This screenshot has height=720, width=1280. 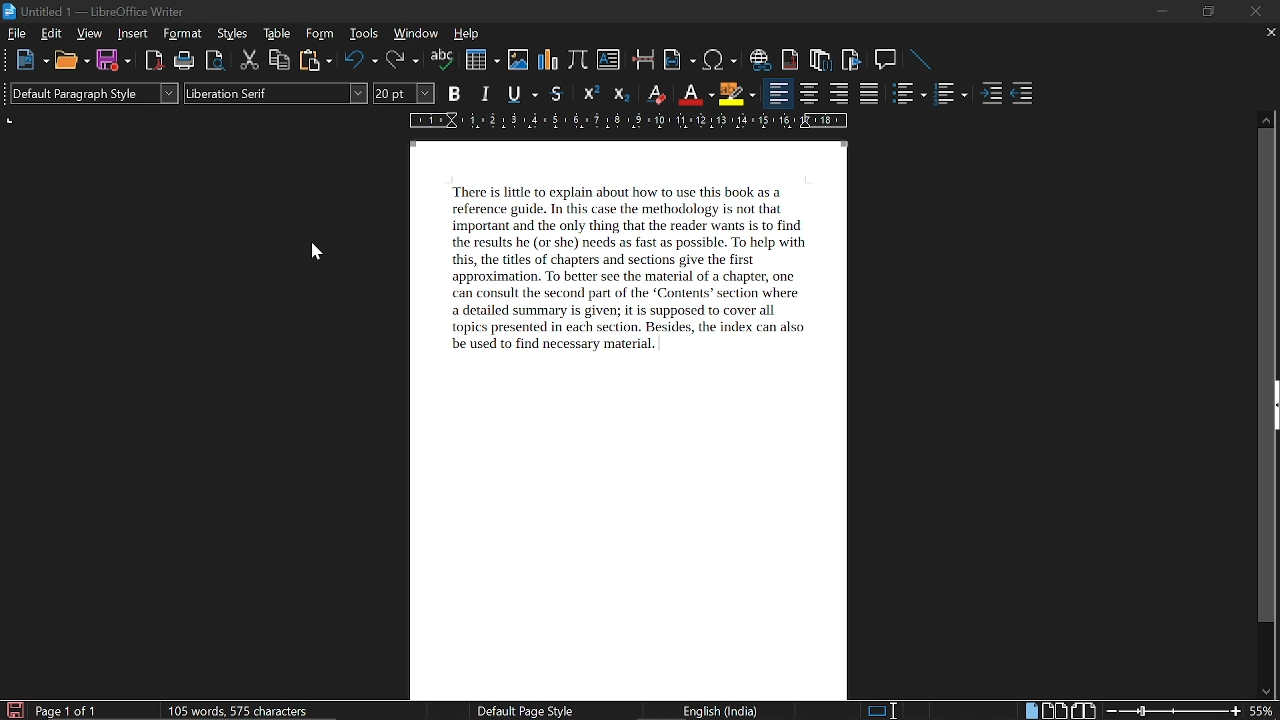 What do you see at coordinates (518, 60) in the screenshot?
I see `insert image` at bounding box center [518, 60].